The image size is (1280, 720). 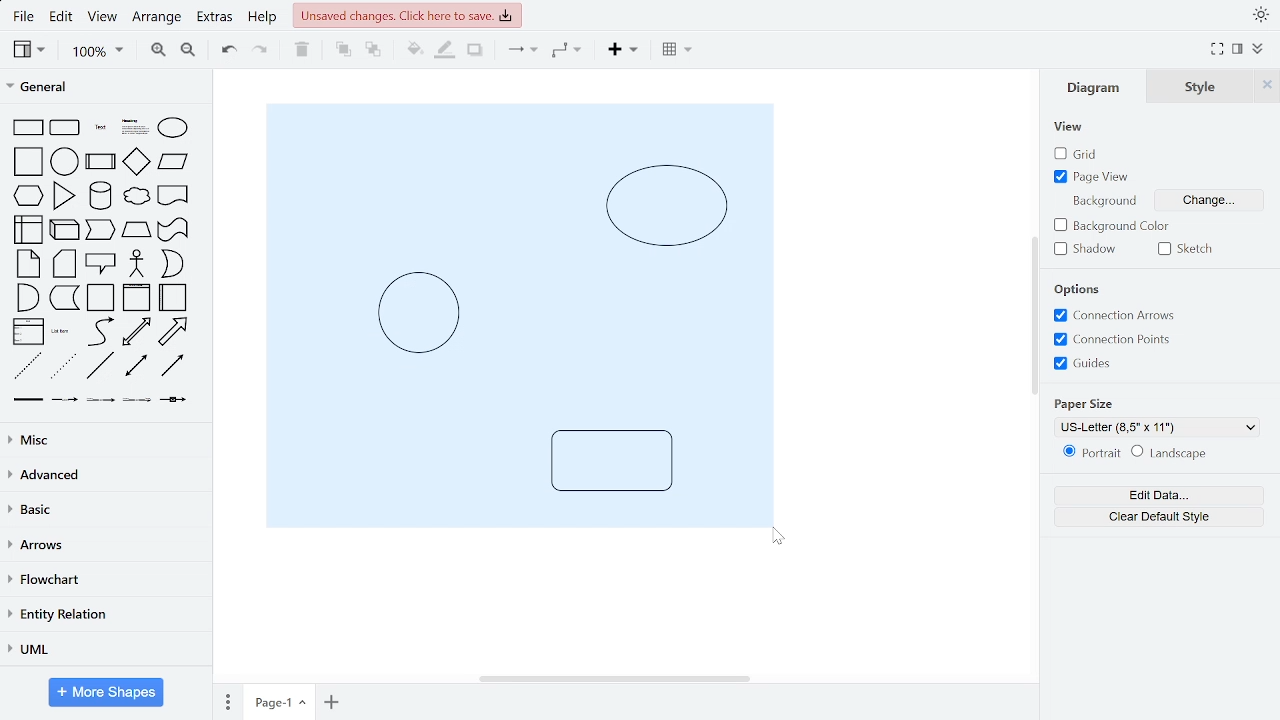 What do you see at coordinates (64, 18) in the screenshot?
I see `edit` at bounding box center [64, 18].